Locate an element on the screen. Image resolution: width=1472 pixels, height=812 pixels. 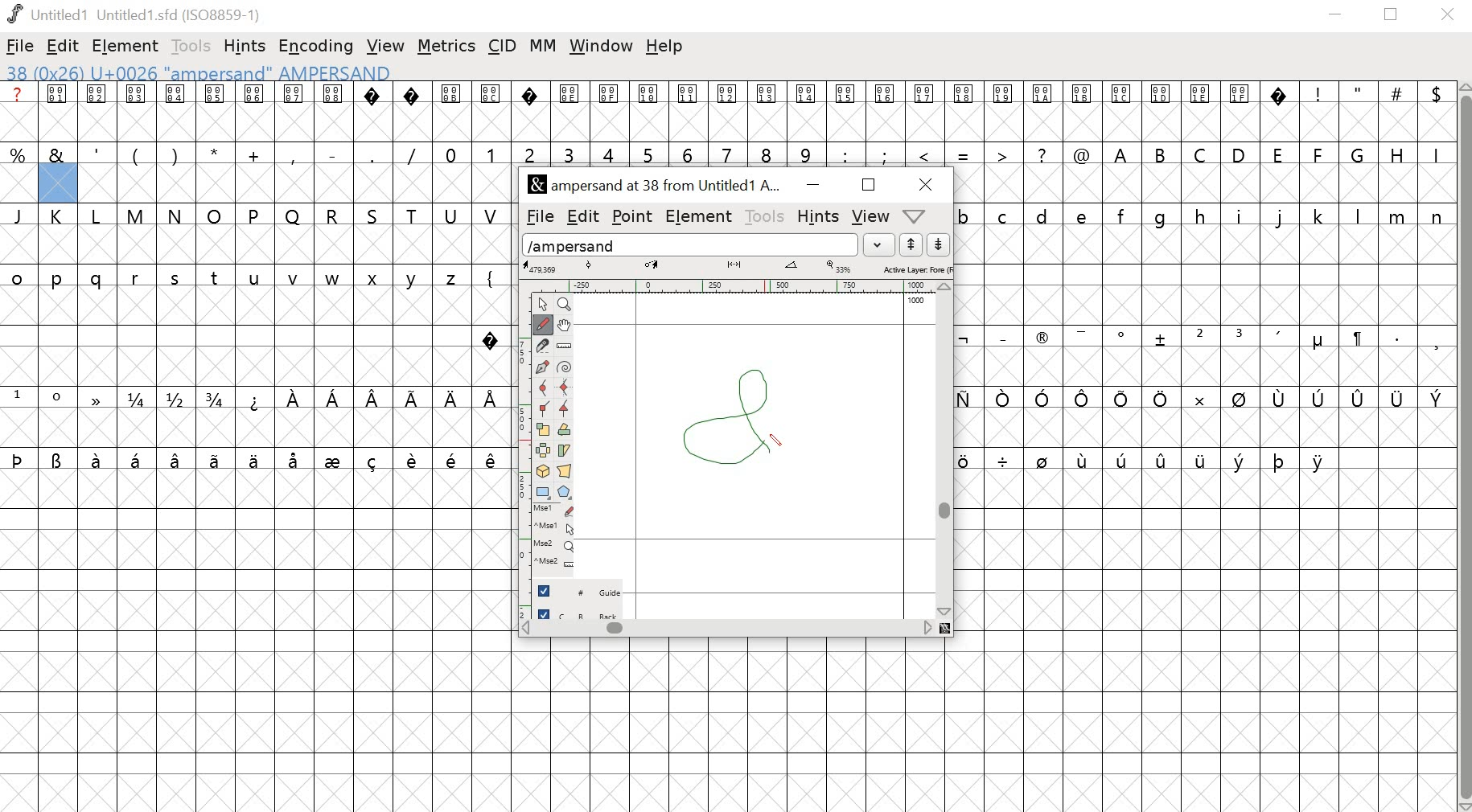
v is located at coordinates (294, 279).